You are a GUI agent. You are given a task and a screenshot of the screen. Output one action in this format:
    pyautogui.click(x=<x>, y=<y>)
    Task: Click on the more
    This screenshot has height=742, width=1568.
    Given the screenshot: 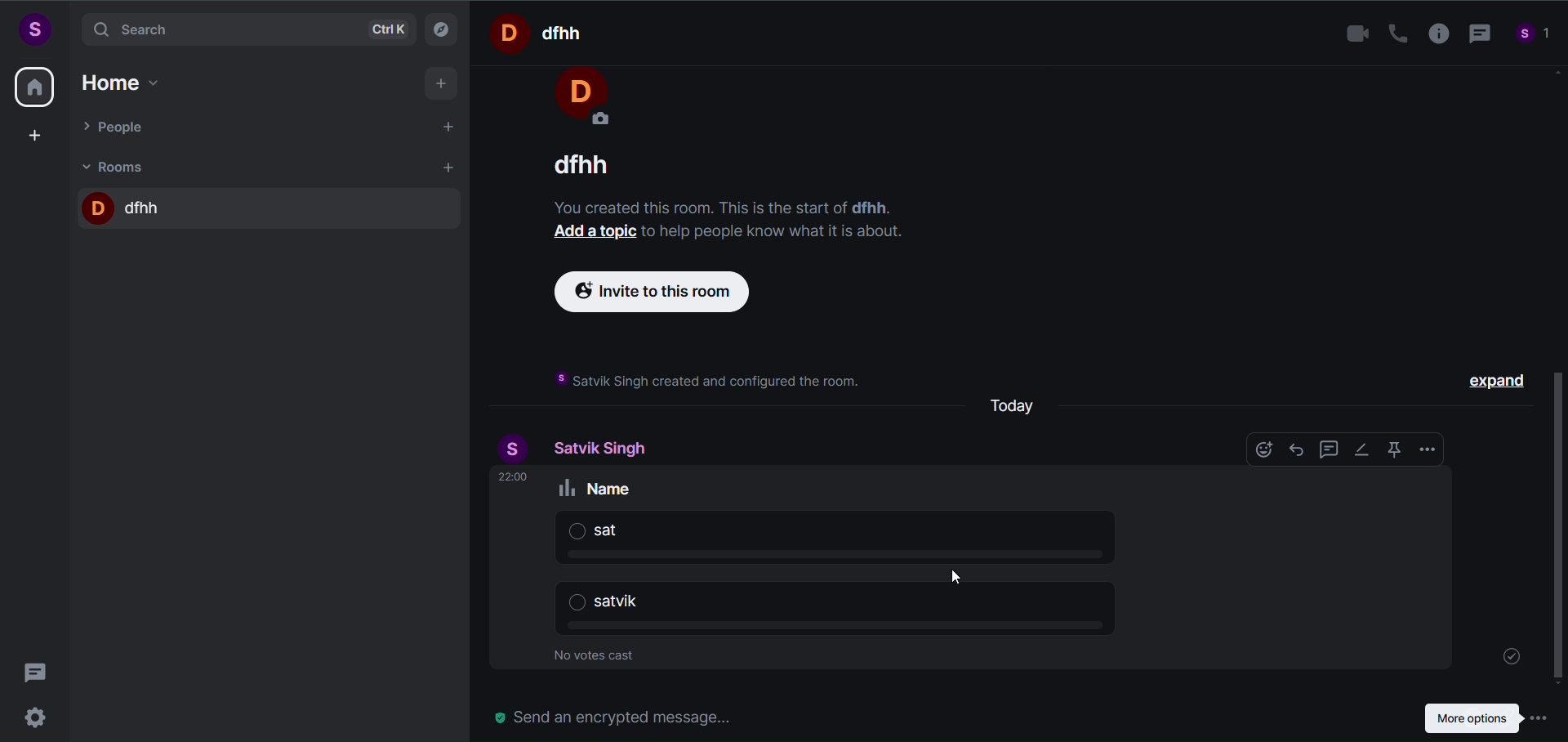 What is the action you would take?
    pyautogui.click(x=1428, y=451)
    